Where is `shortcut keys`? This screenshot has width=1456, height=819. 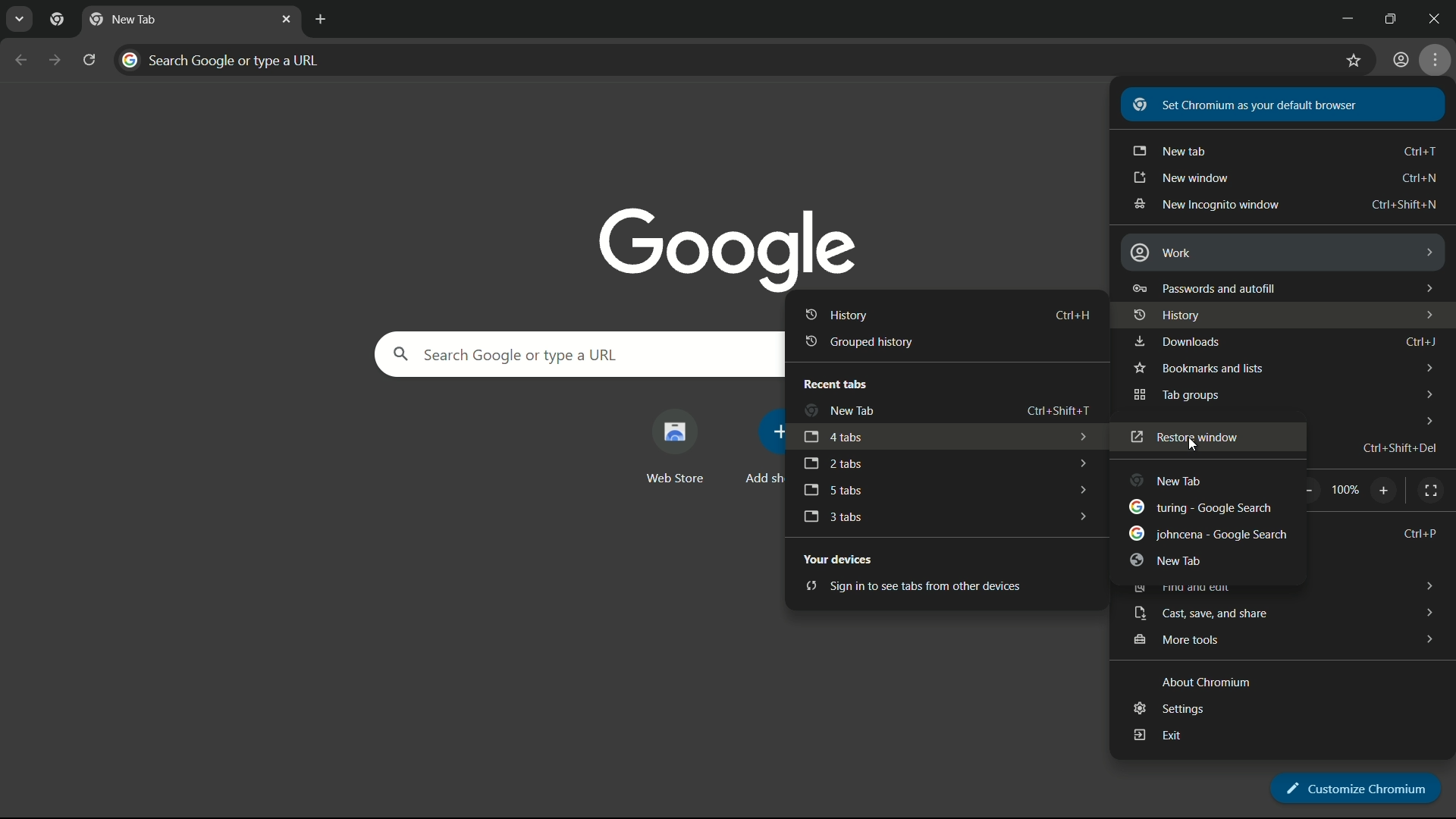 shortcut keys is located at coordinates (1420, 151).